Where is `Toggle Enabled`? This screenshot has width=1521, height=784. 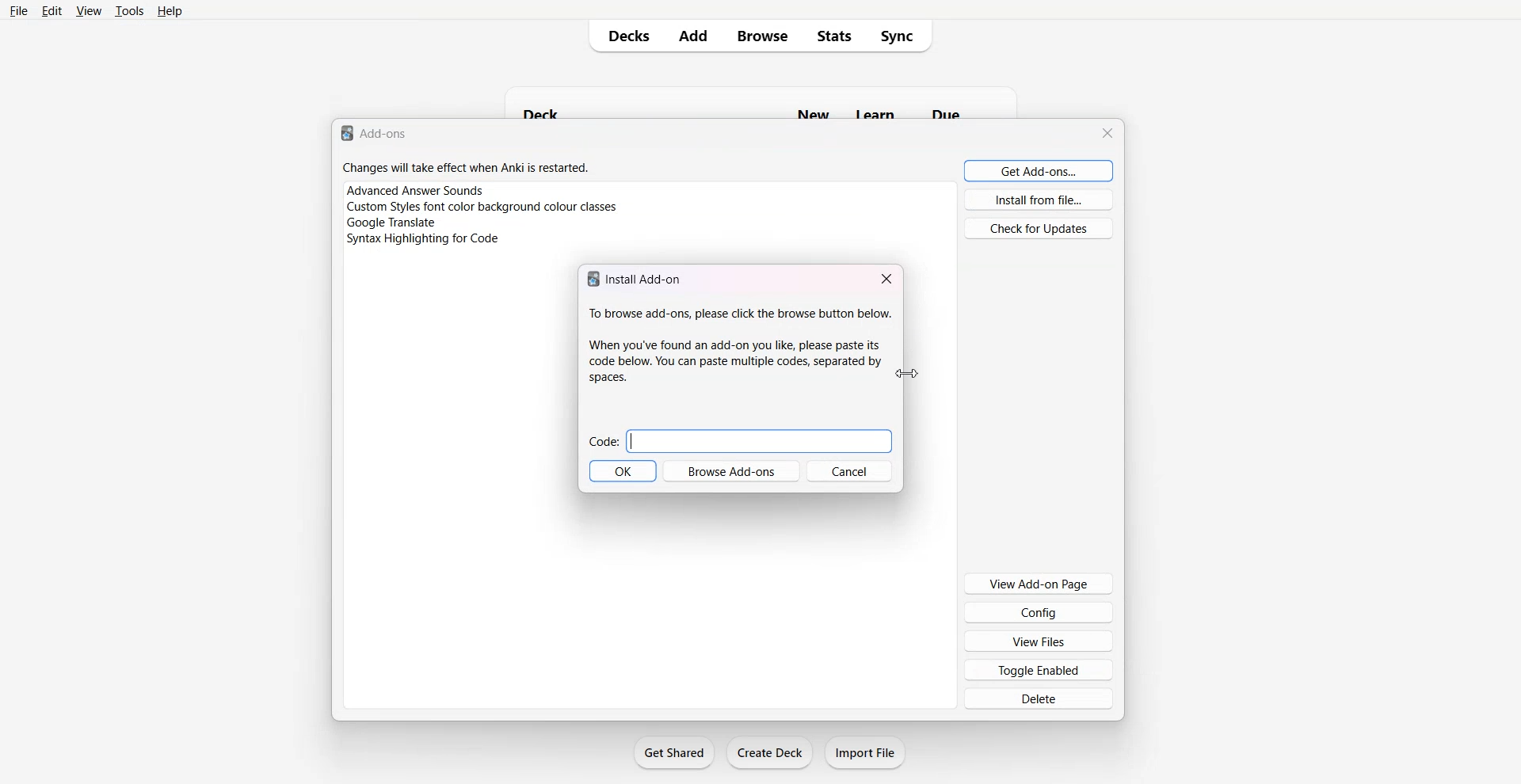
Toggle Enabled is located at coordinates (1038, 669).